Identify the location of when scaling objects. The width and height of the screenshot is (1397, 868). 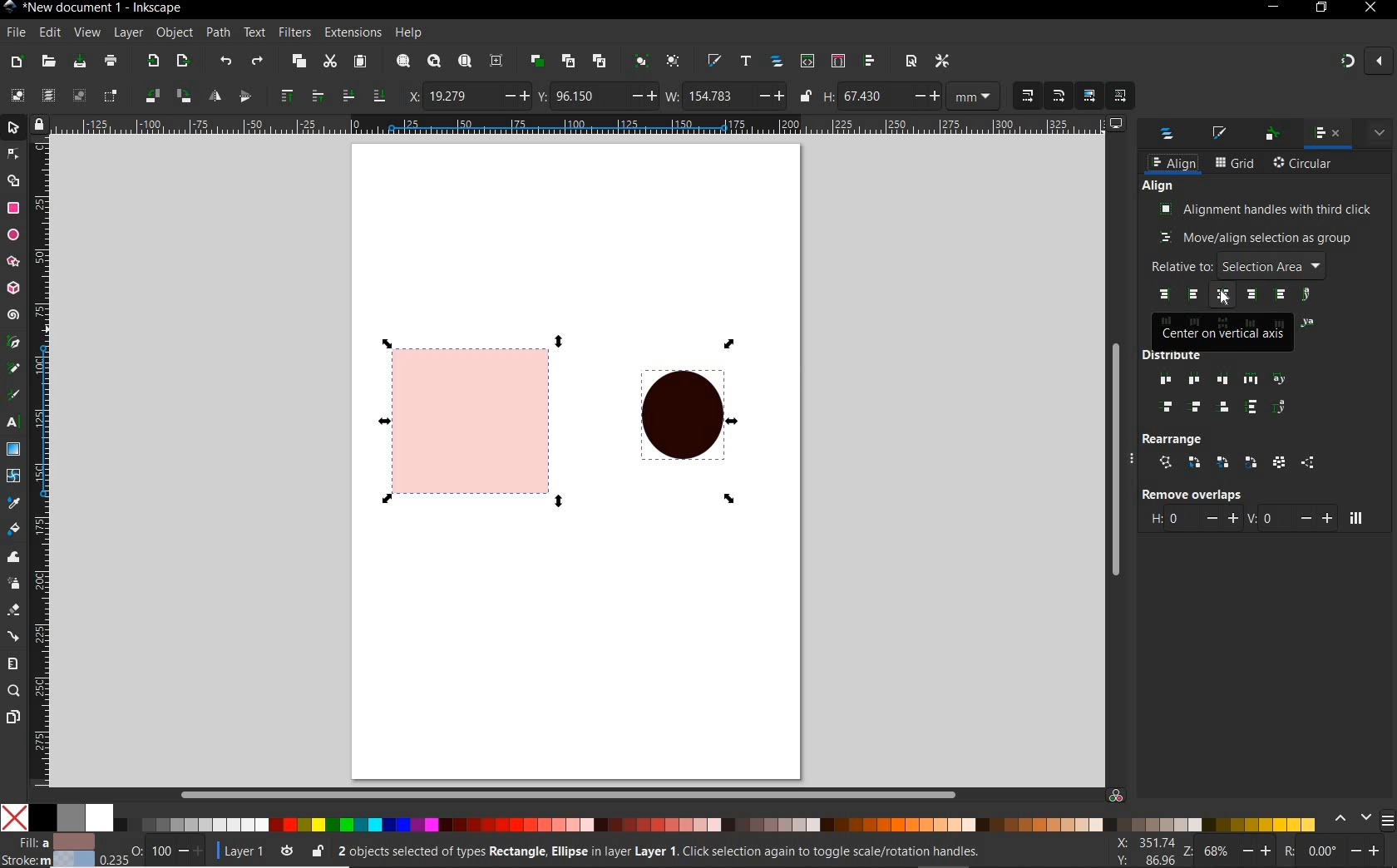
(1027, 96).